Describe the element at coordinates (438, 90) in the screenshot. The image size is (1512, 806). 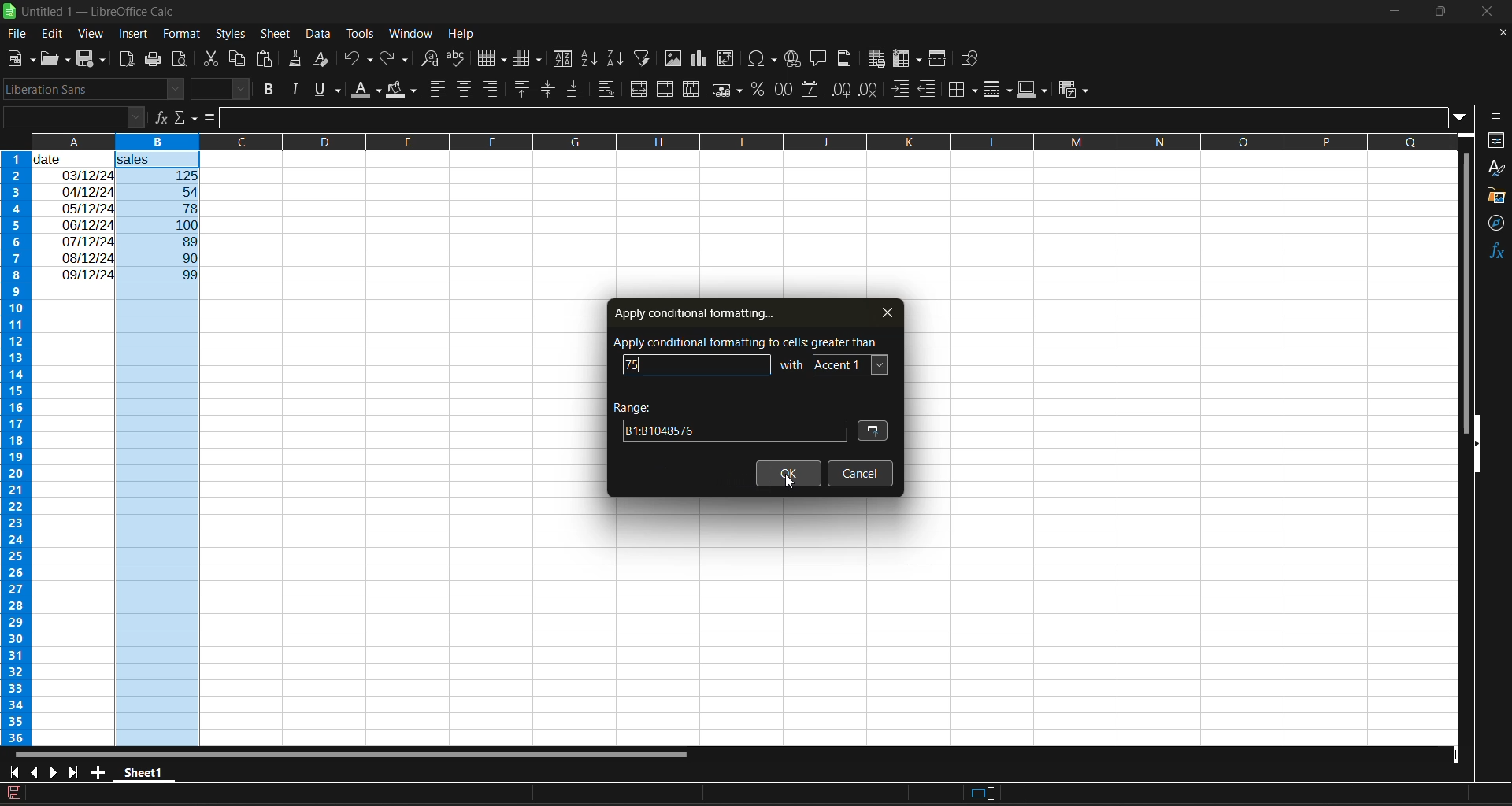
I see `align left` at that location.